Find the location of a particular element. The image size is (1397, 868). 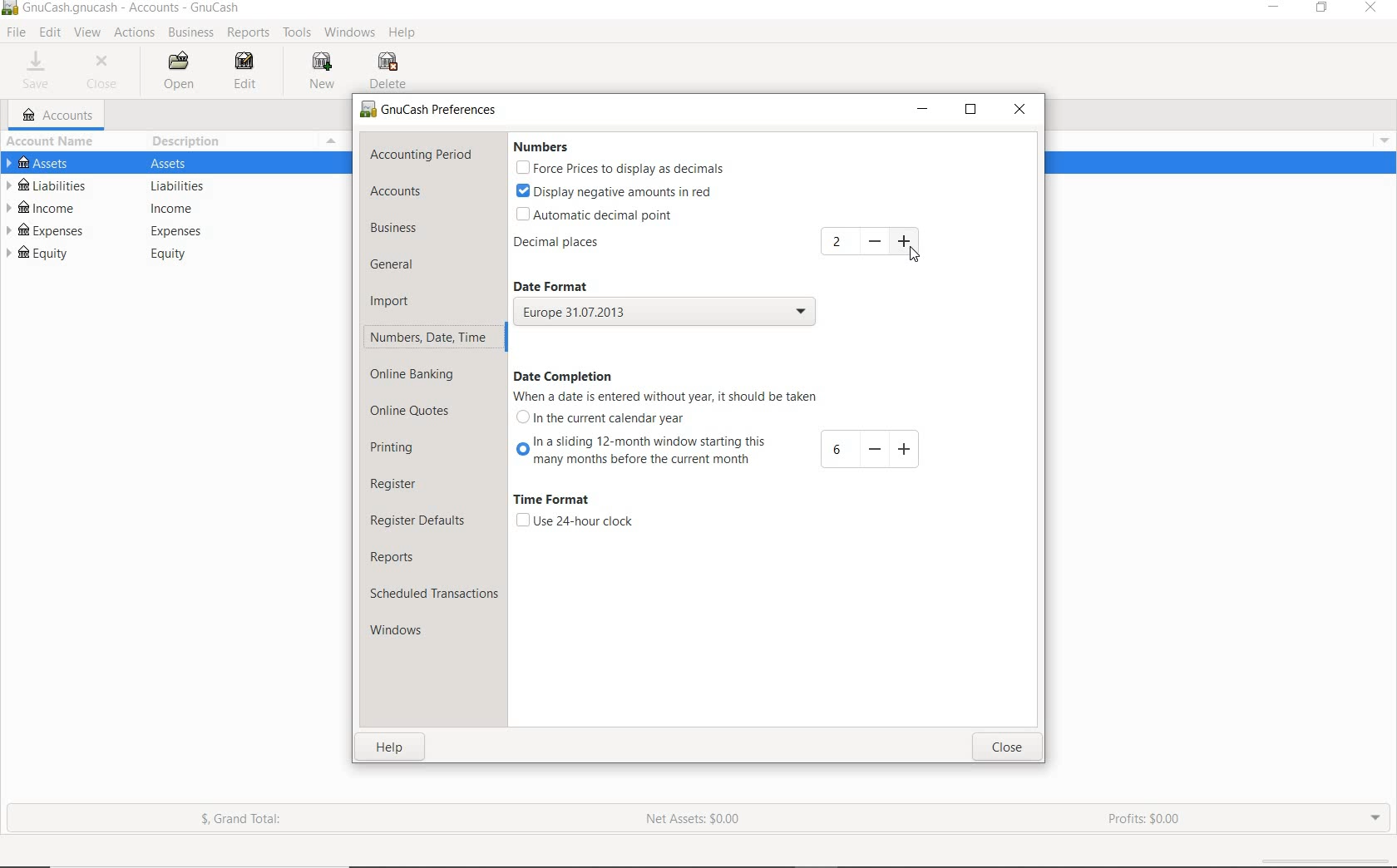

cursor is located at coordinates (911, 253).